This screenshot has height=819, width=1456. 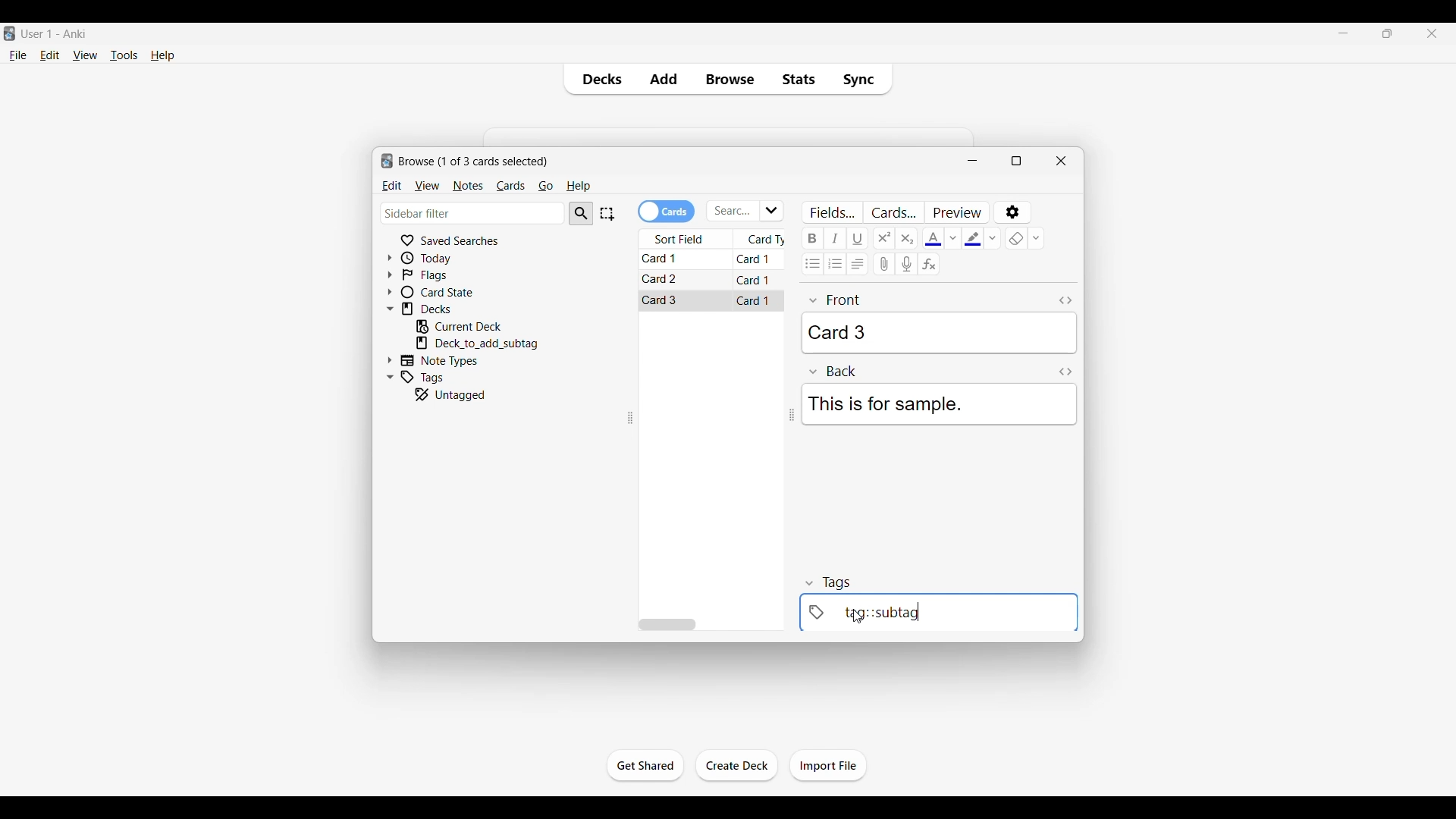 What do you see at coordinates (797, 79) in the screenshot?
I see `Stats` at bounding box center [797, 79].